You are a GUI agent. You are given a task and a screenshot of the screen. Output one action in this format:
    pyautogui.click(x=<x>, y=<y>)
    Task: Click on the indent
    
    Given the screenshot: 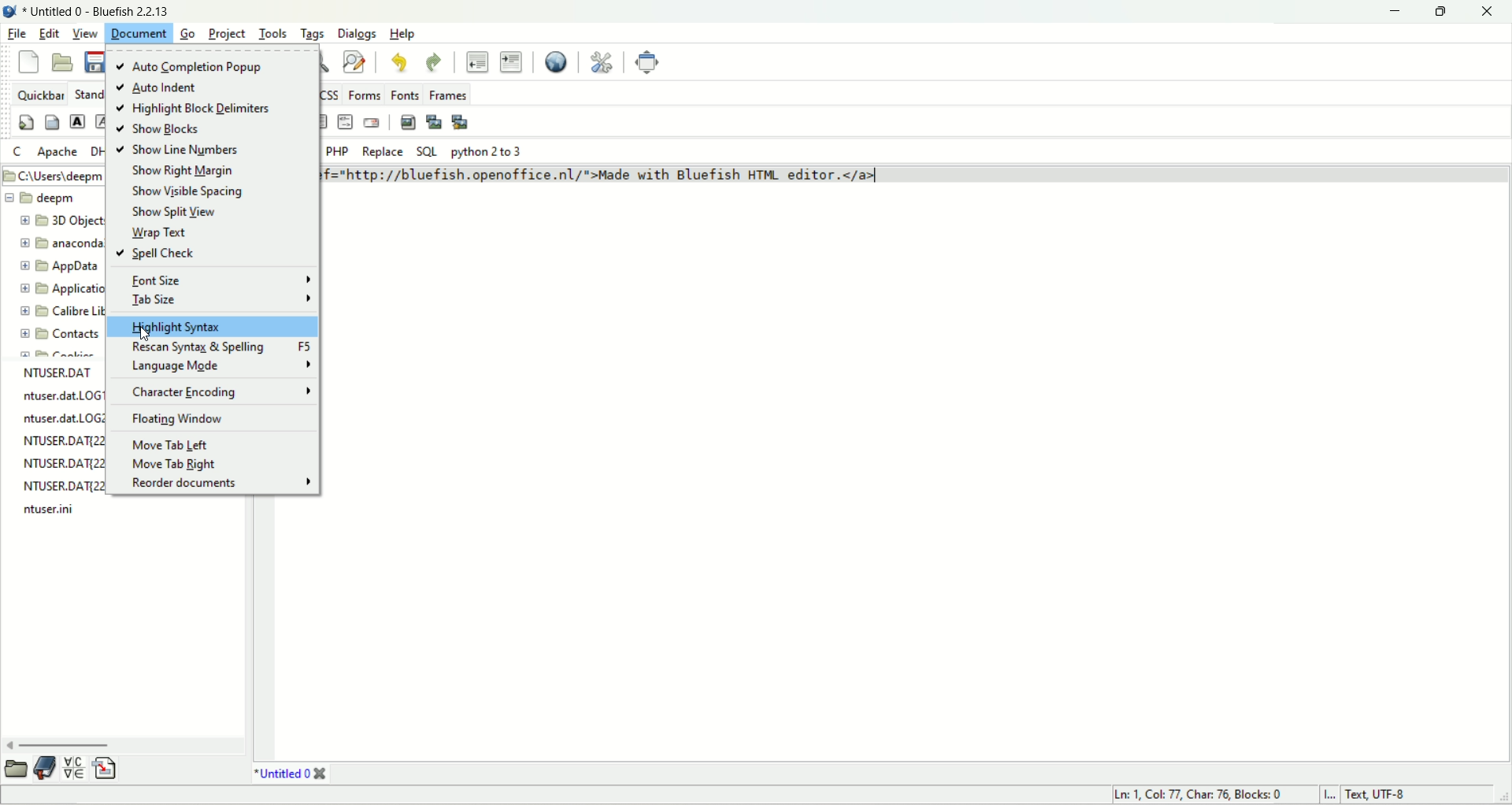 What is the action you would take?
    pyautogui.click(x=512, y=61)
    